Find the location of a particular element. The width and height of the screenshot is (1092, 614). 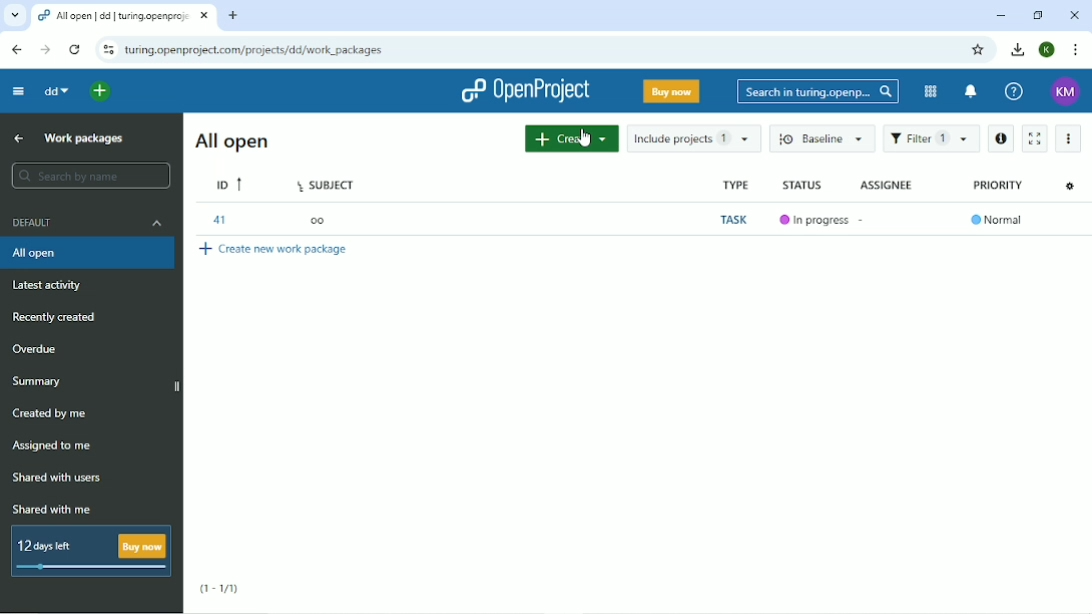

Collapse project menu is located at coordinates (19, 92).